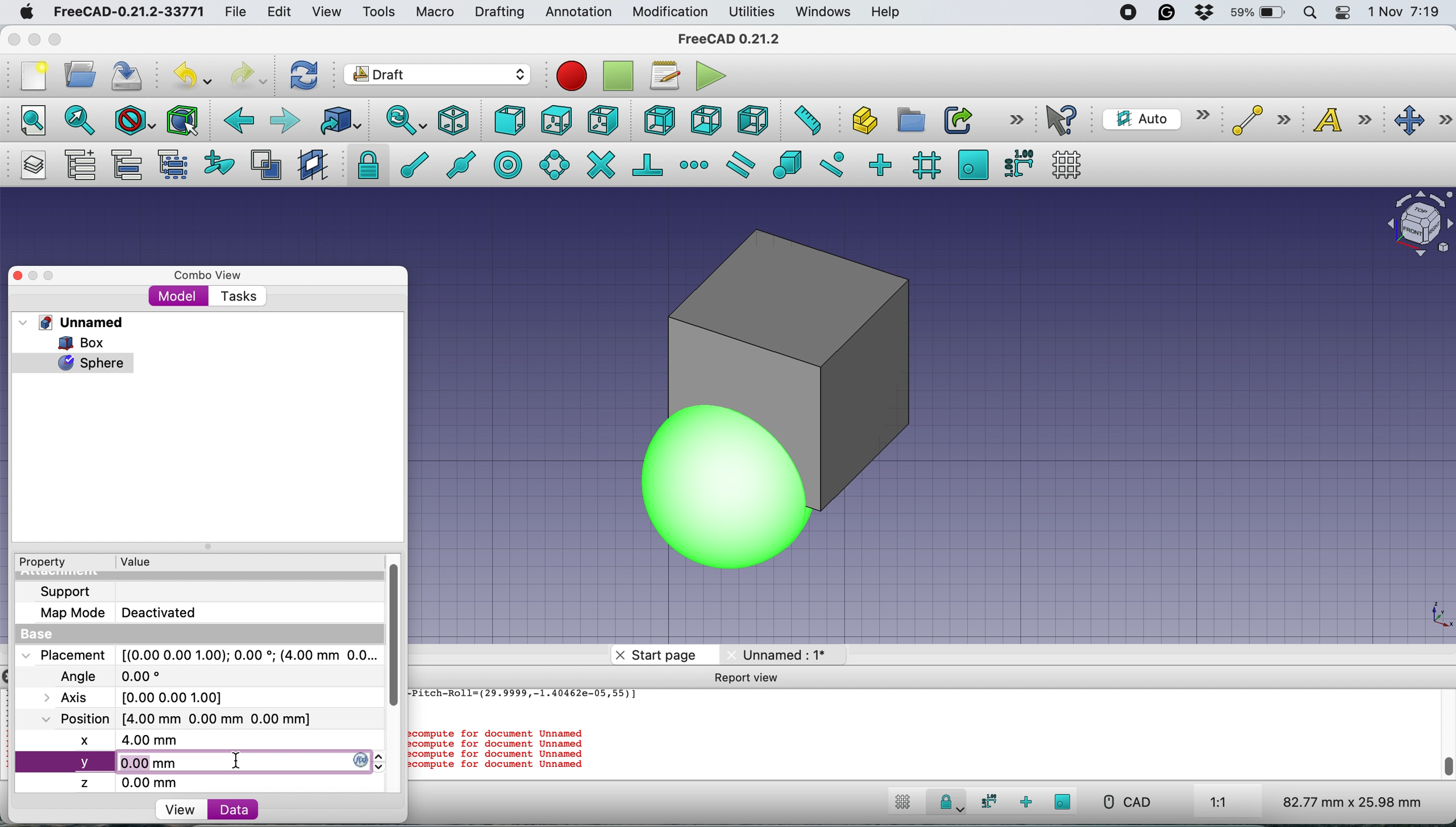 This screenshot has width=1456, height=827. What do you see at coordinates (181, 120) in the screenshot?
I see `bounding box` at bounding box center [181, 120].